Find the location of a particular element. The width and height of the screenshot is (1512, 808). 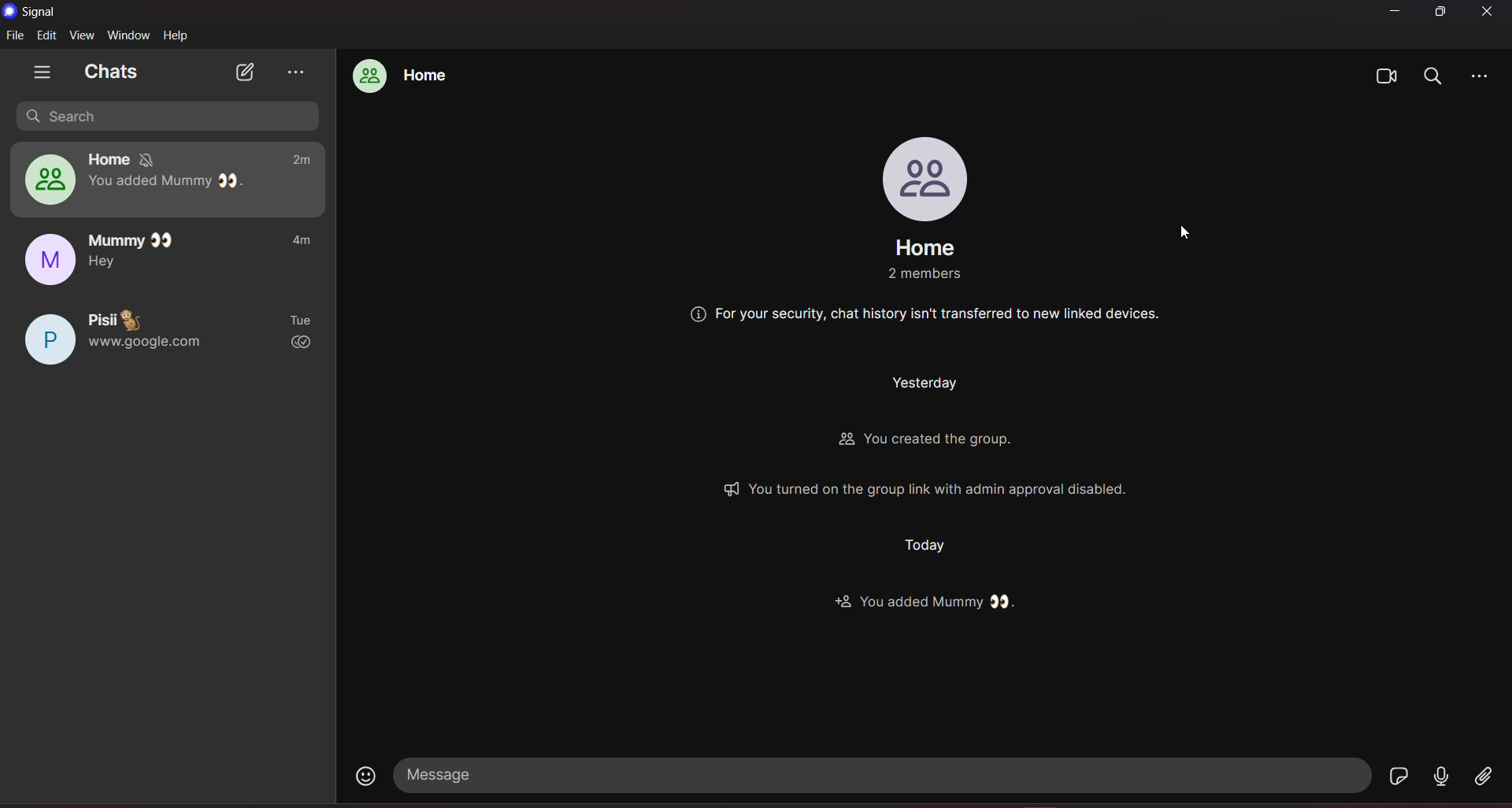

cursor is located at coordinates (1186, 232).